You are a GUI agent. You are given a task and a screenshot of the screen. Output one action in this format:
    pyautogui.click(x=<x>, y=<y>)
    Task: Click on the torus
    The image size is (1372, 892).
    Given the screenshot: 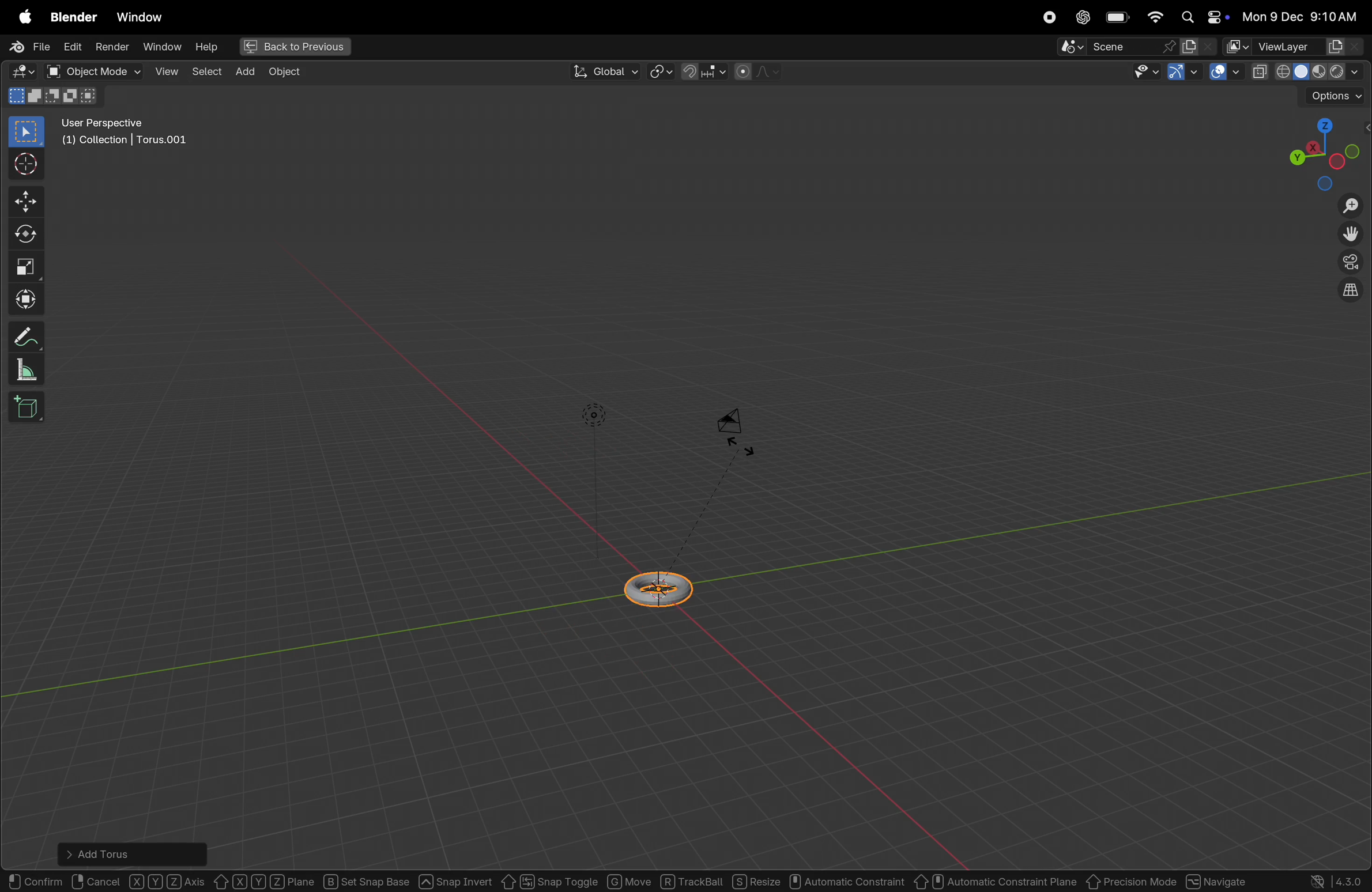 What is the action you would take?
    pyautogui.click(x=662, y=587)
    